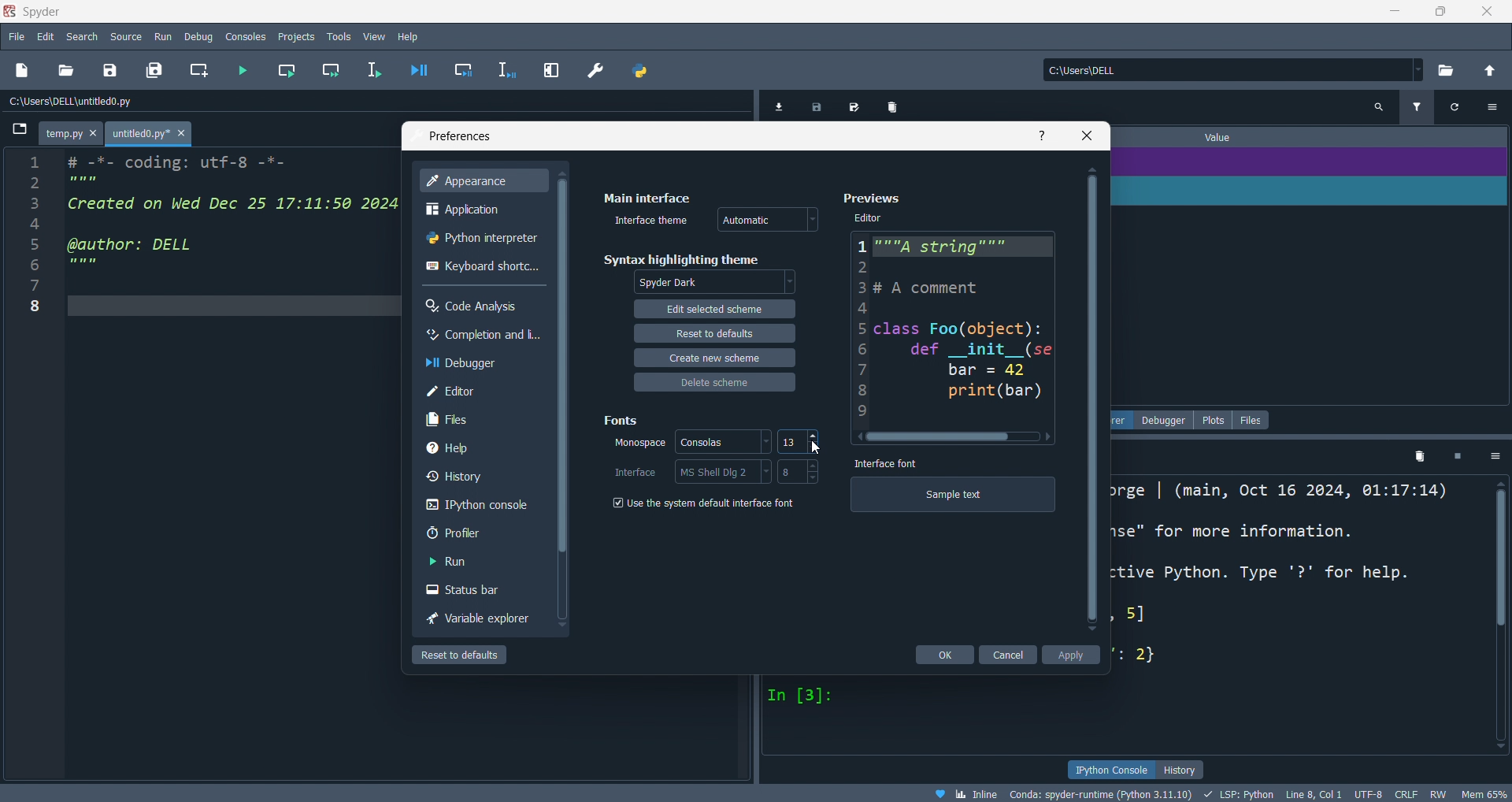  What do you see at coordinates (816, 450) in the screenshot?
I see `Decrease` at bounding box center [816, 450].